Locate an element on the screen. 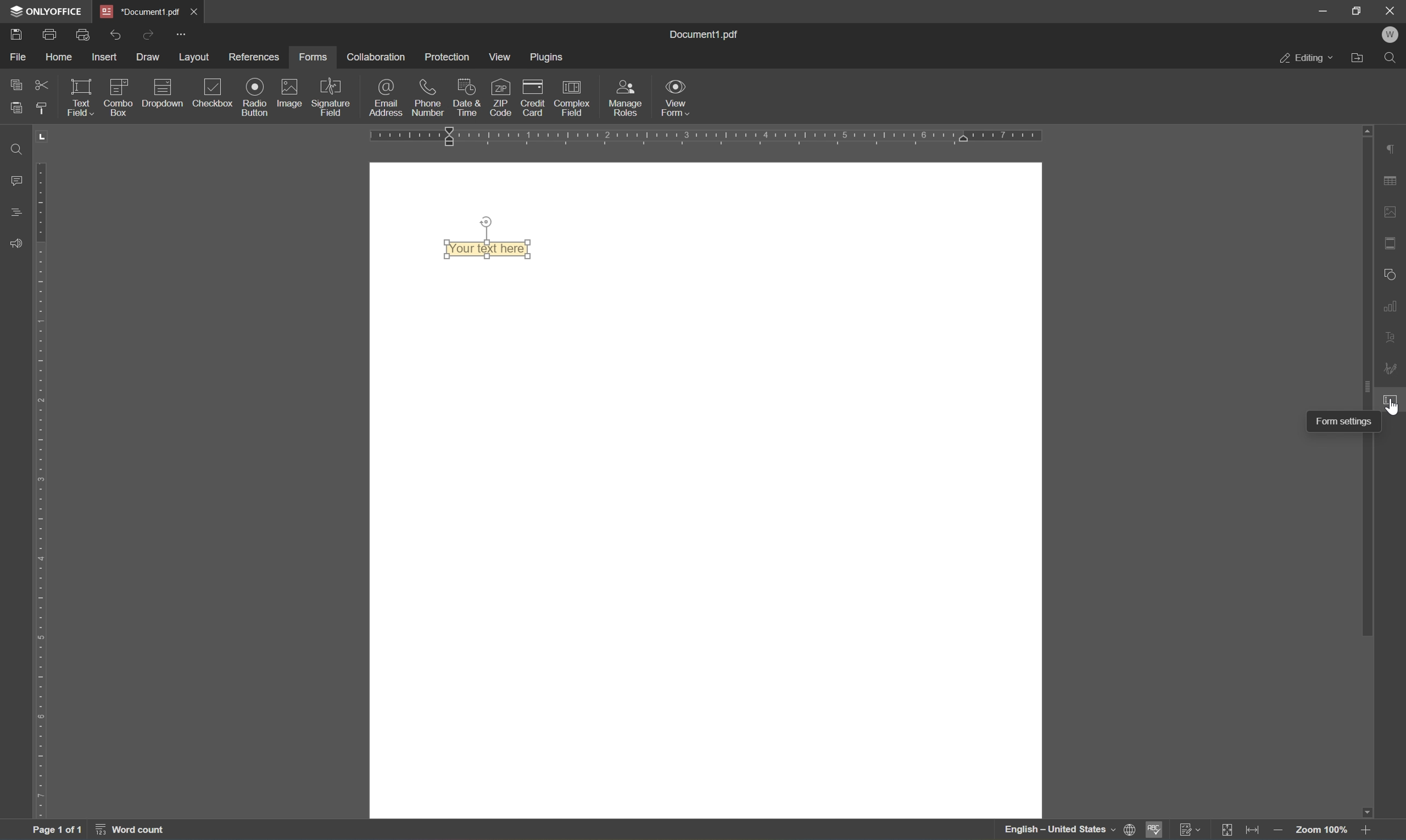 This screenshot has height=840, width=1406. image is located at coordinates (287, 92).